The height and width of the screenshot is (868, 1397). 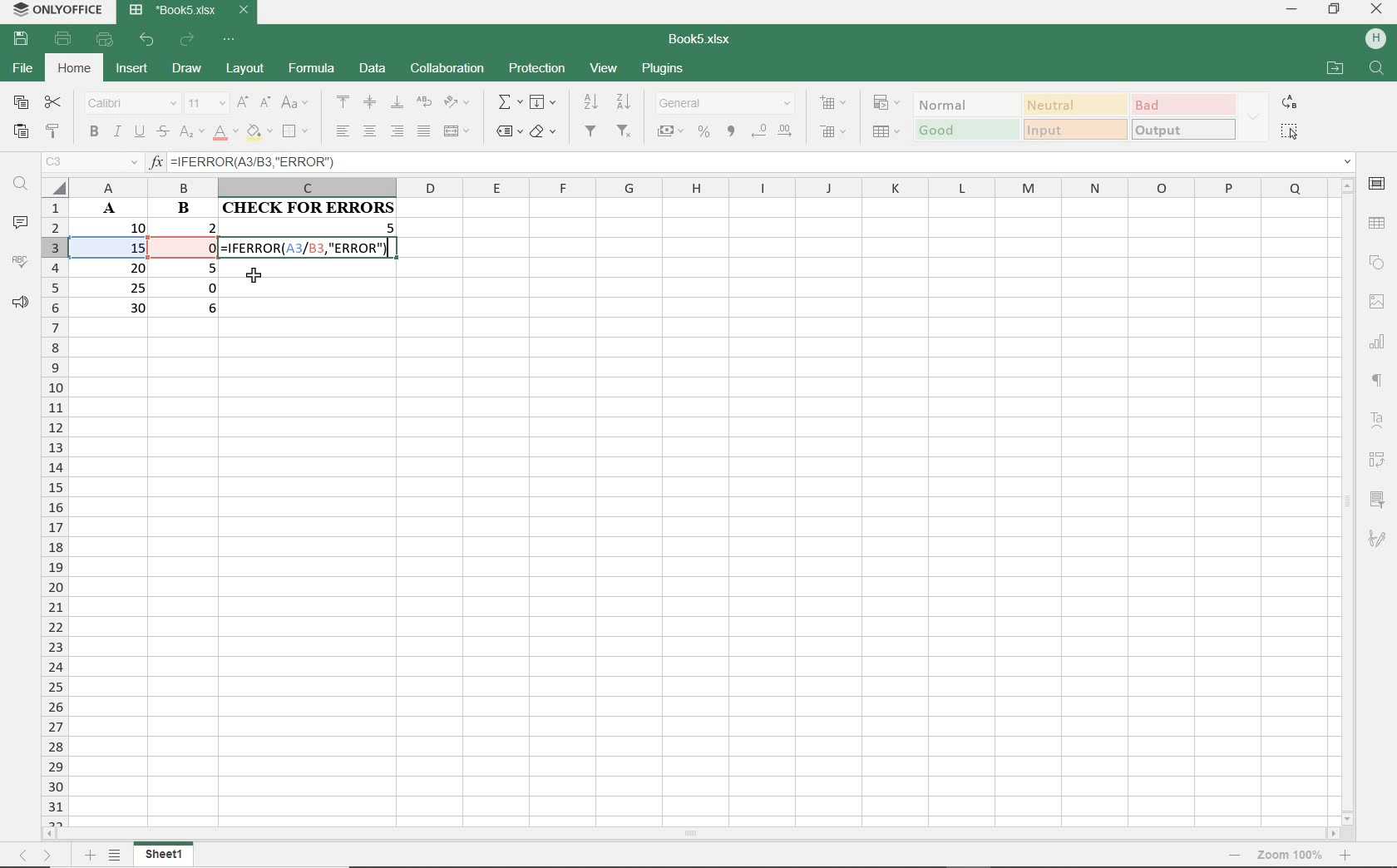 I want to click on , so click(x=1379, y=301).